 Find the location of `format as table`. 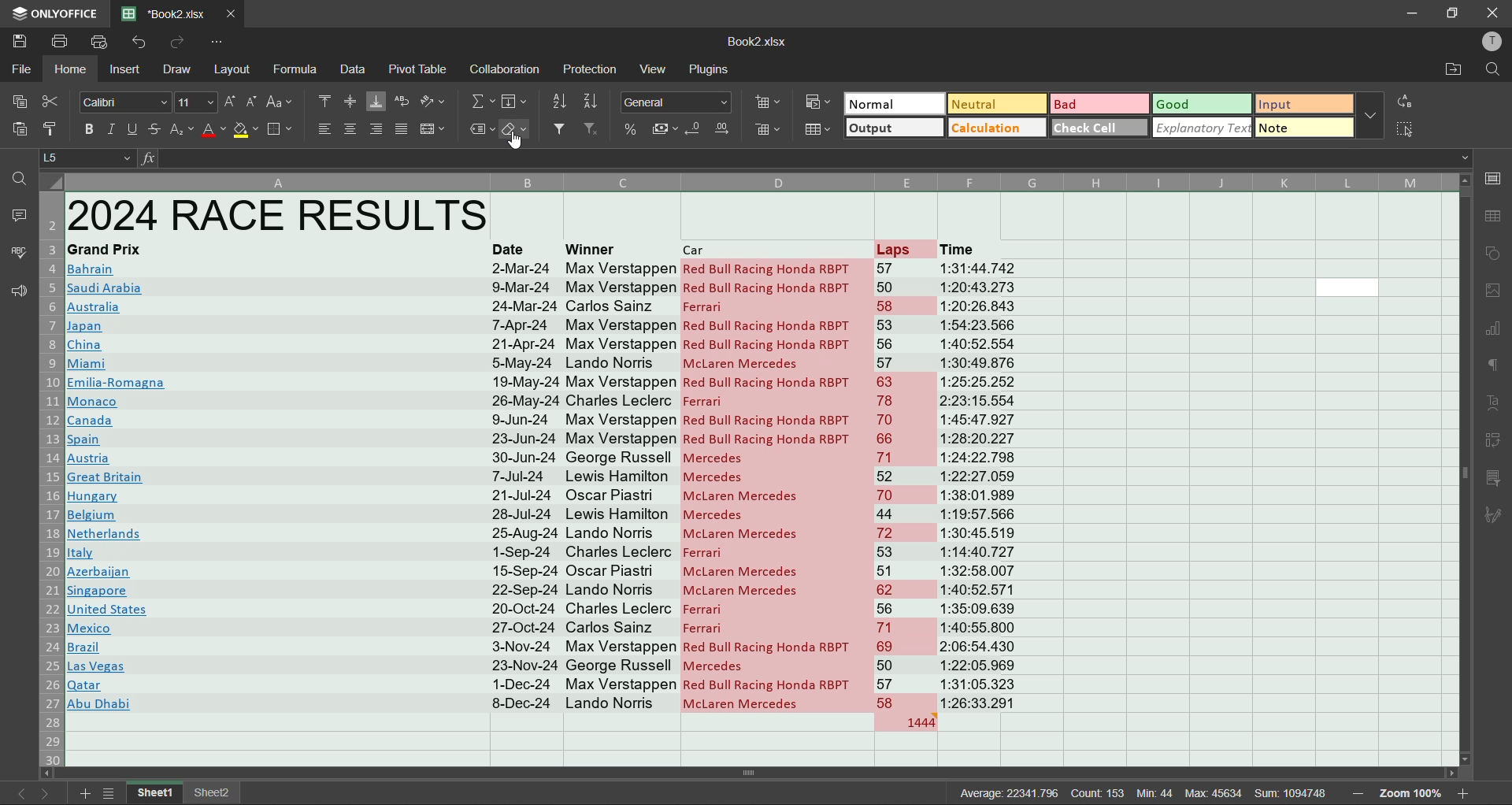

format as table is located at coordinates (819, 131).